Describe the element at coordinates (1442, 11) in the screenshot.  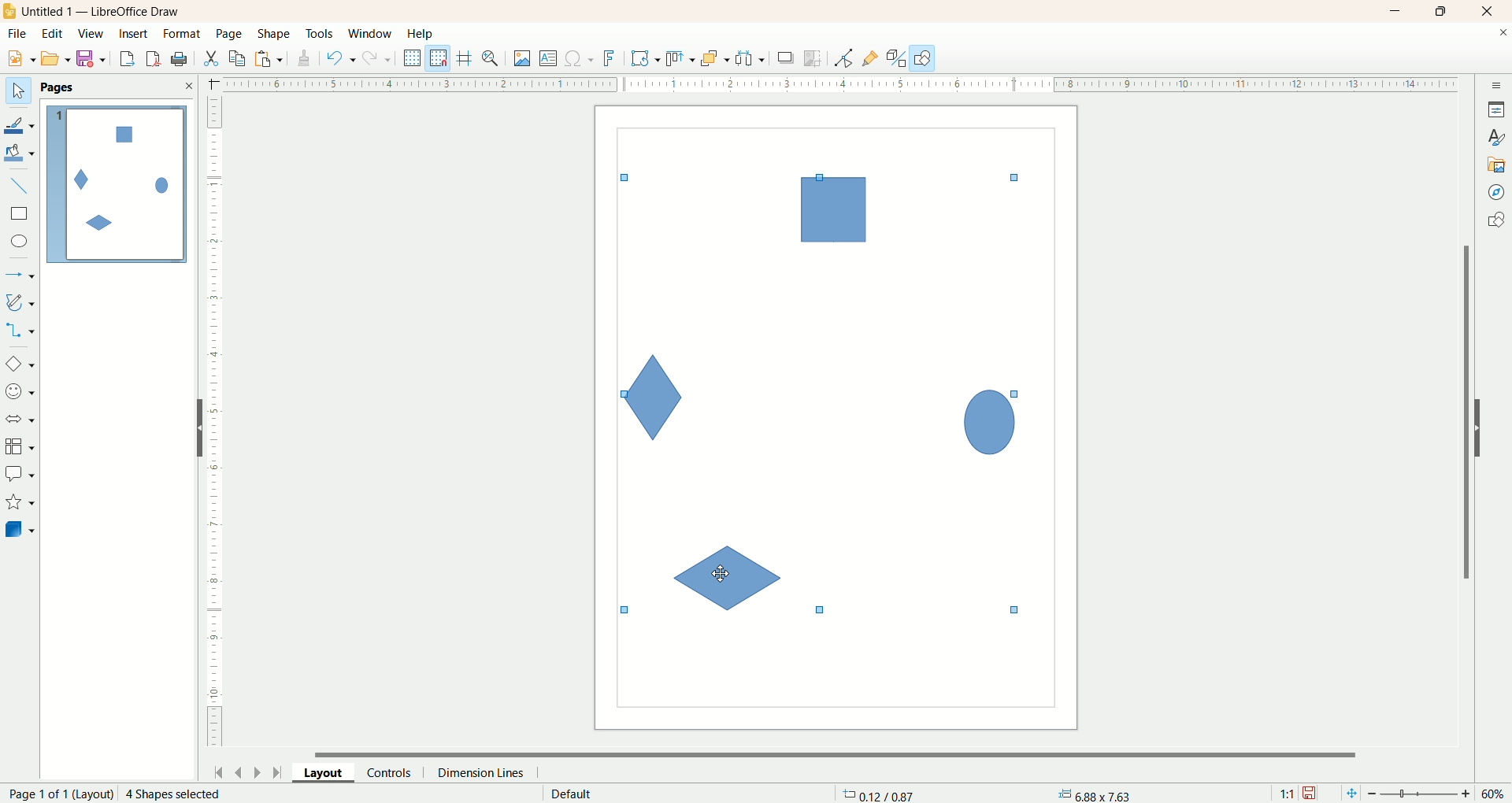
I see `maximize` at that location.